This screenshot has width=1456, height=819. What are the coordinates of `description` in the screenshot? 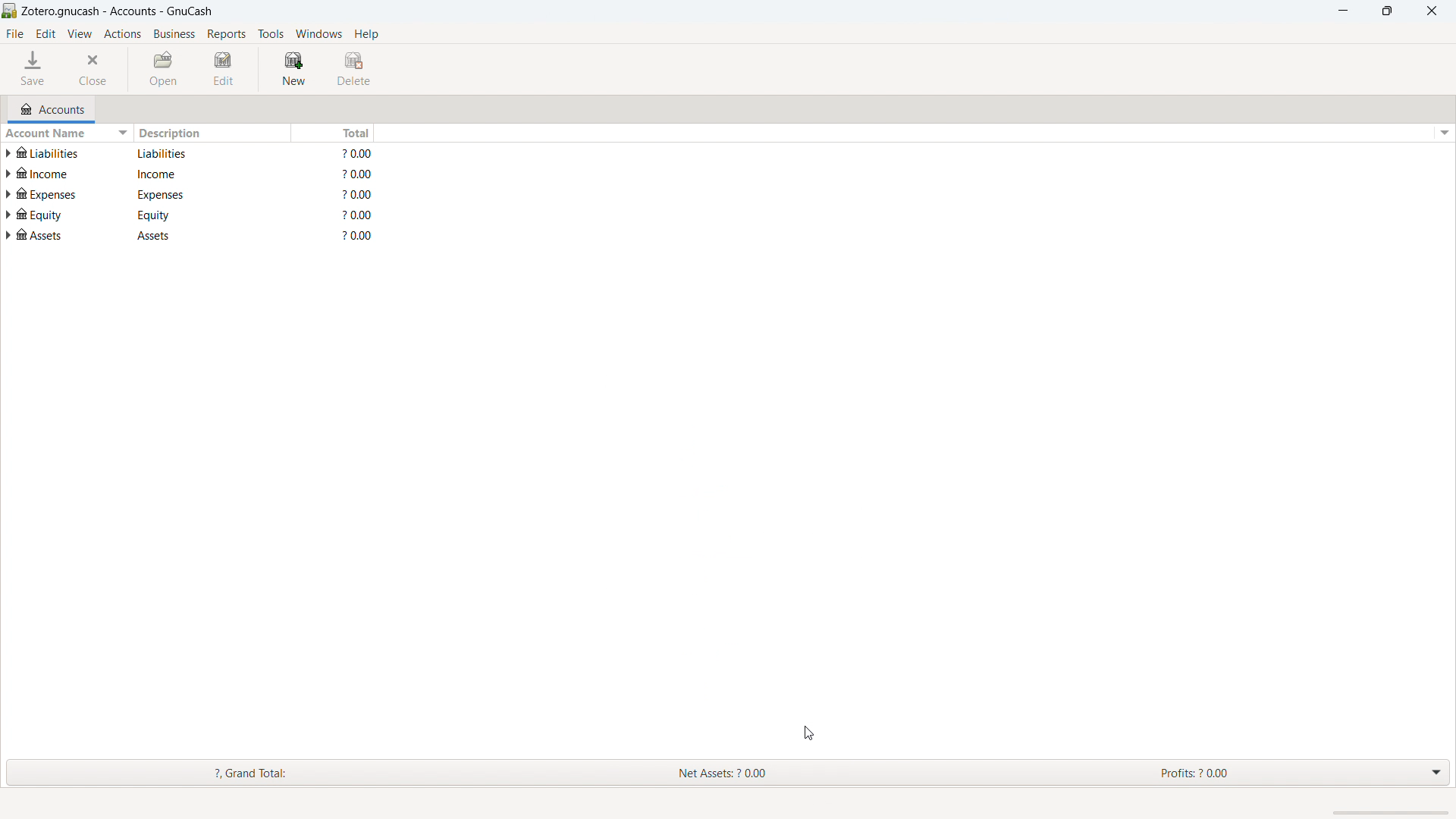 It's located at (208, 133).